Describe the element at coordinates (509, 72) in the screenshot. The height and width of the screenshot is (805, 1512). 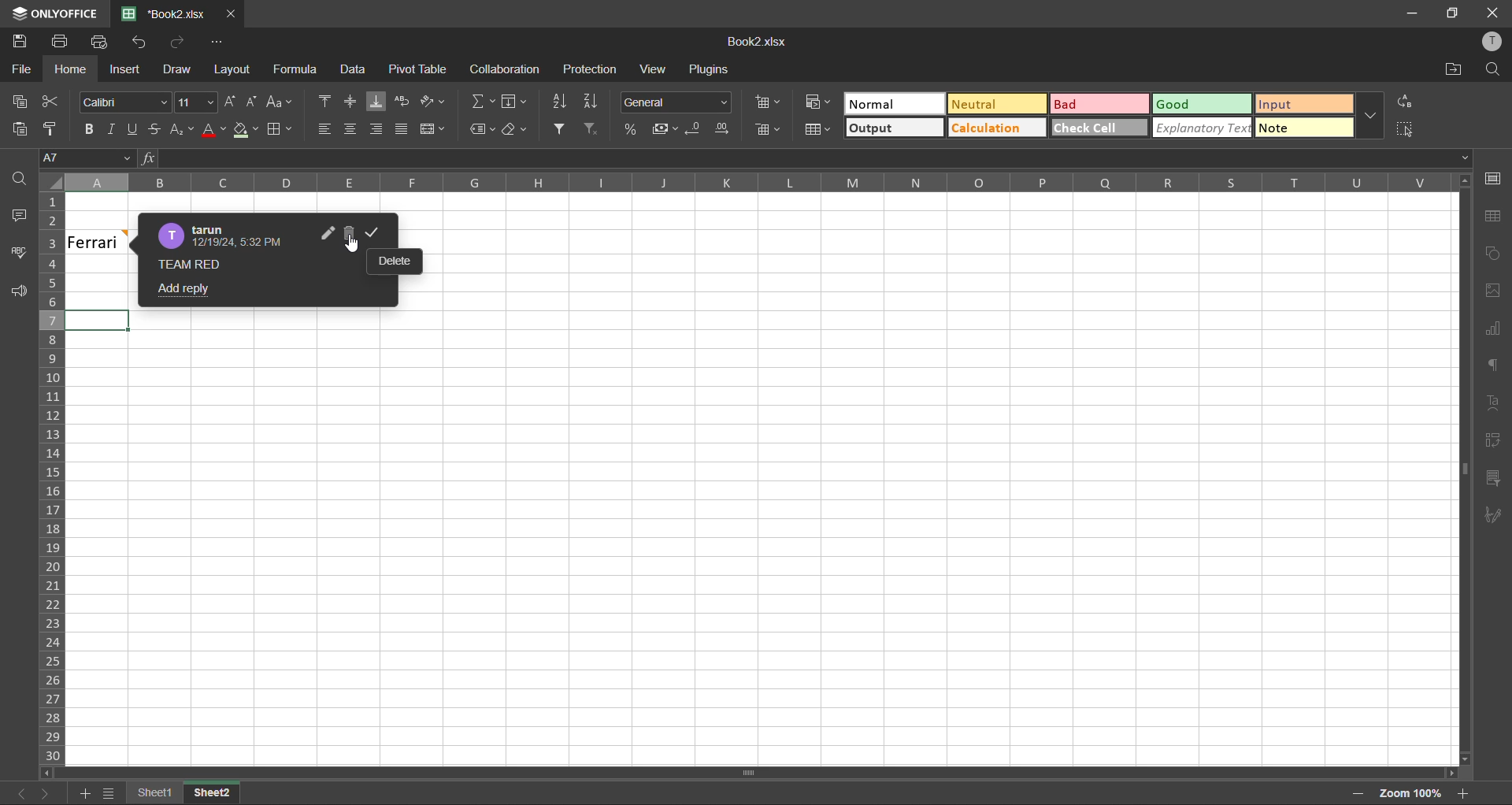
I see `collaboration` at that location.